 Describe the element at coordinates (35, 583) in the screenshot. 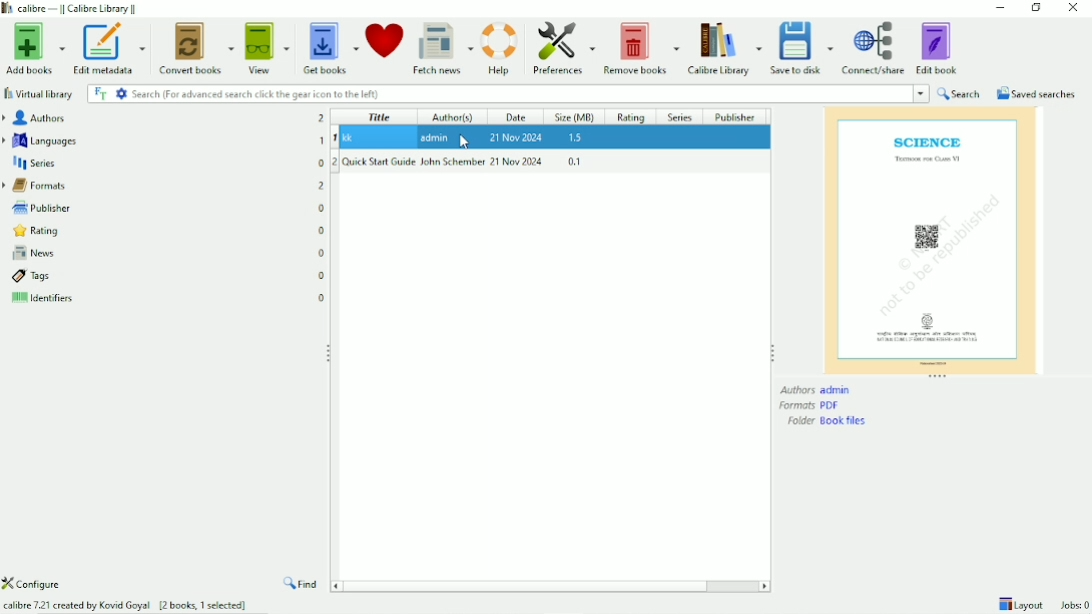

I see `Configure` at that location.